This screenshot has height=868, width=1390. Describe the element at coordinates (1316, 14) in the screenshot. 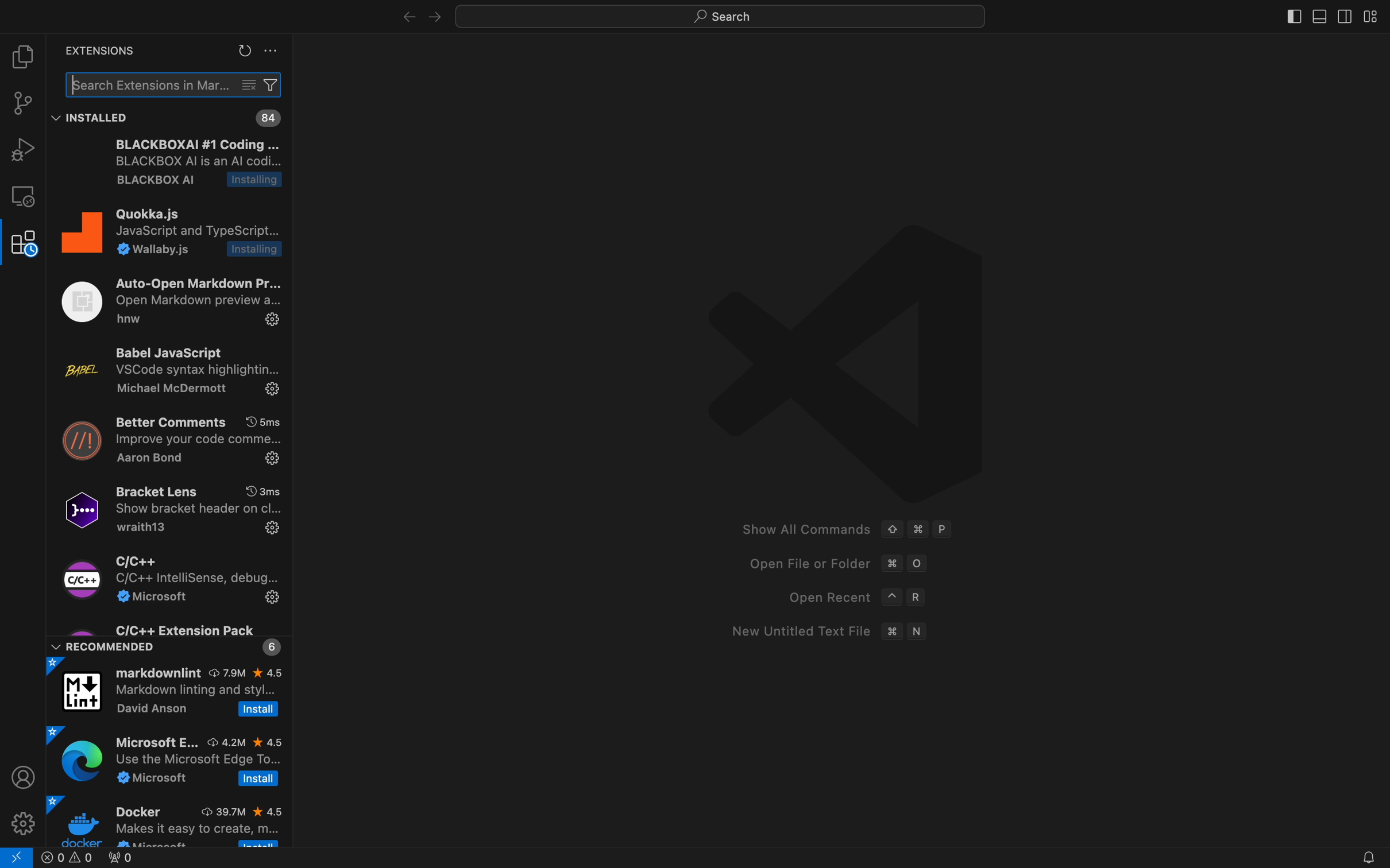

I see `toggle primary bar` at that location.